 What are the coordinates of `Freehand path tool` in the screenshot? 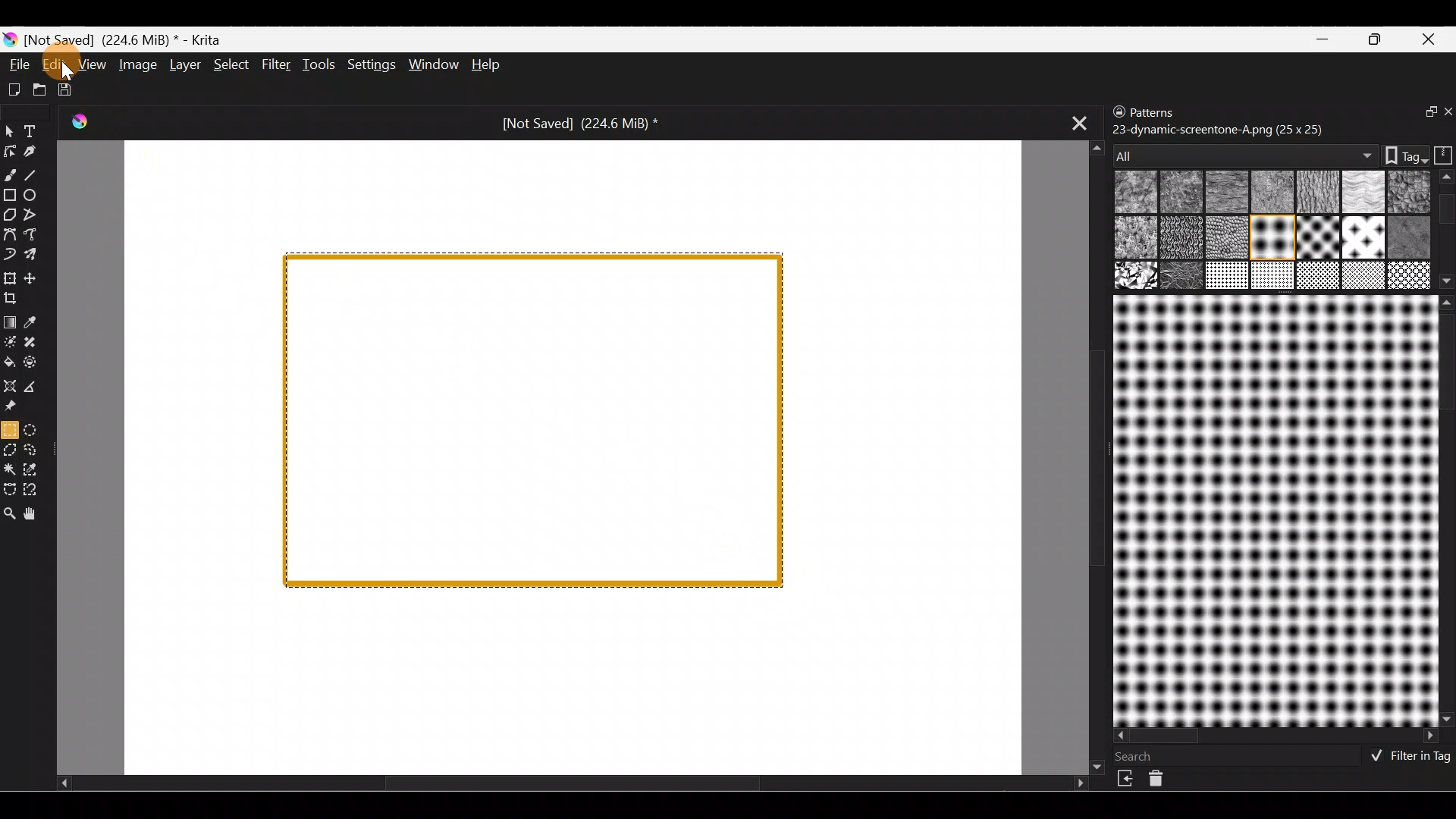 It's located at (33, 234).